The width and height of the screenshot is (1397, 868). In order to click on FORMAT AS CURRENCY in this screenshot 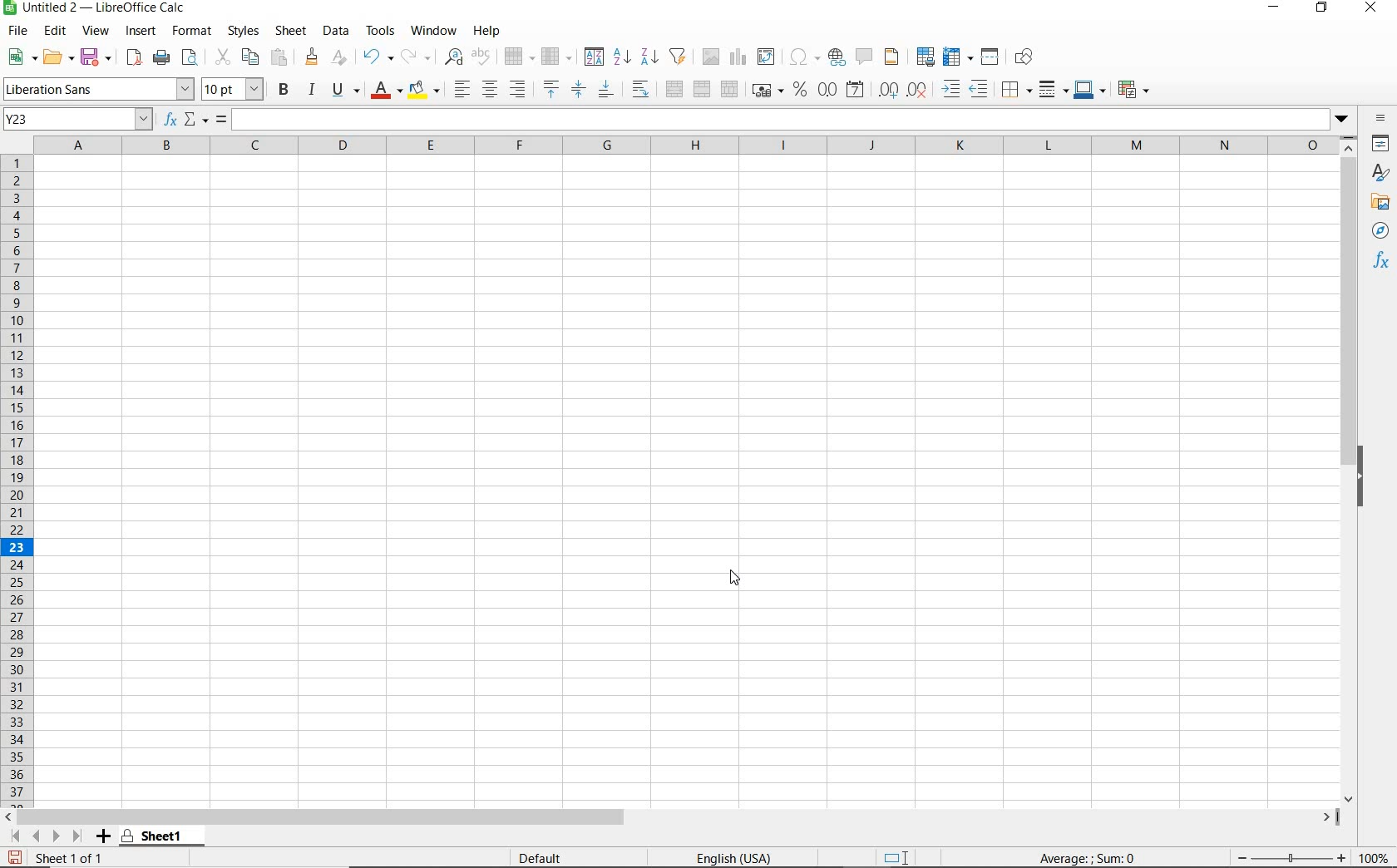, I will do `click(766, 92)`.